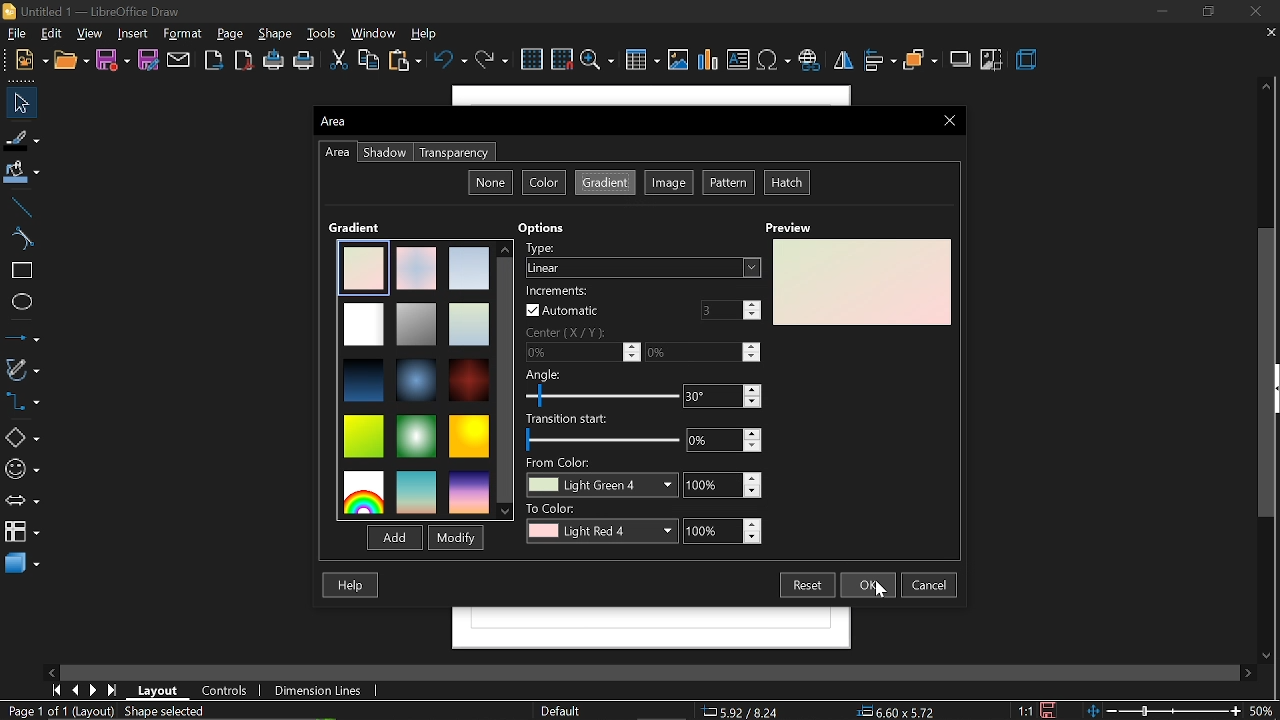  What do you see at coordinates (1271, 656) in the screenshot?
I see `Move down` at bounding box center [1271, 656].